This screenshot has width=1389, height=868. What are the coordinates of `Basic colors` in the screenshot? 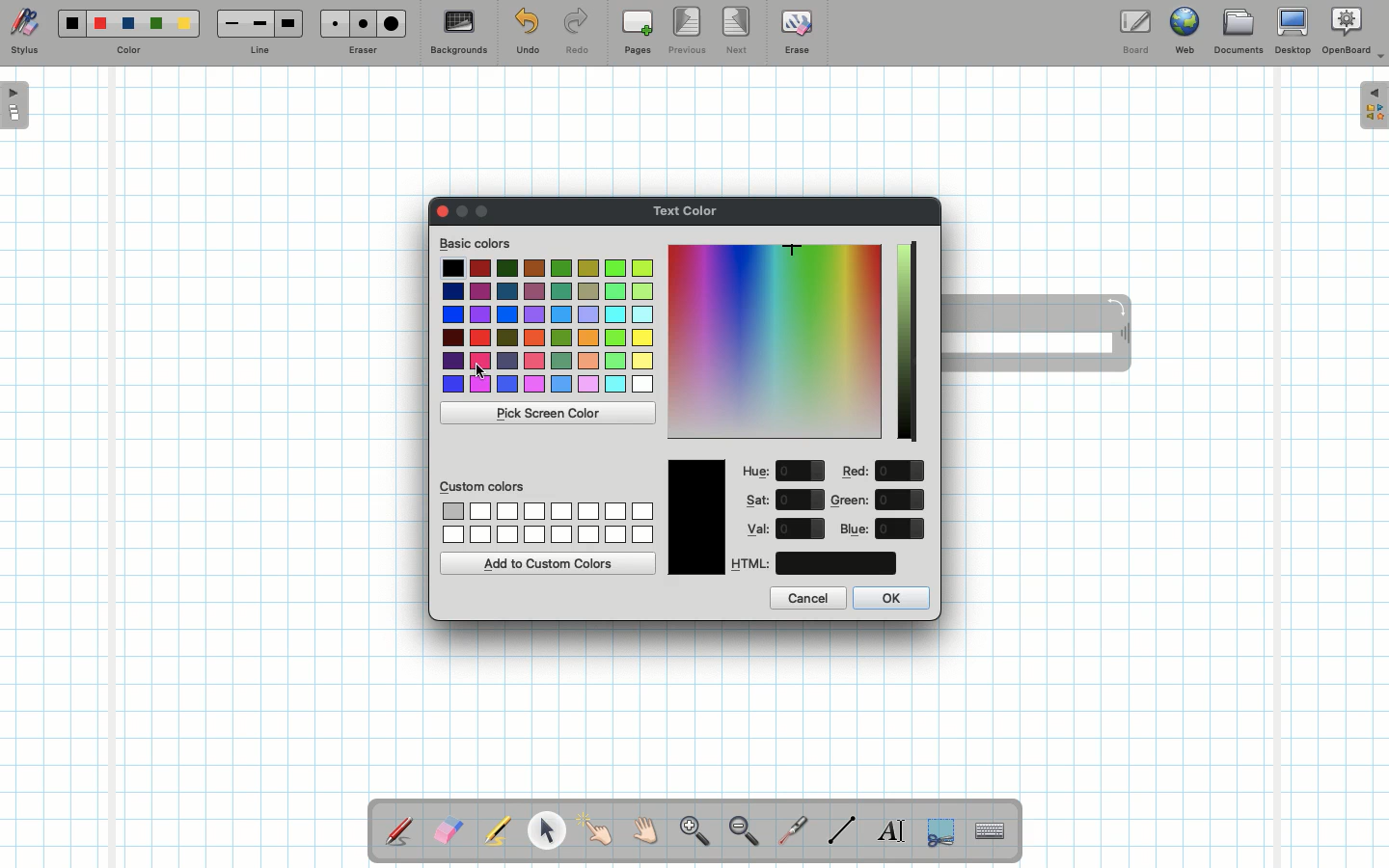 It's located at (477, 242).